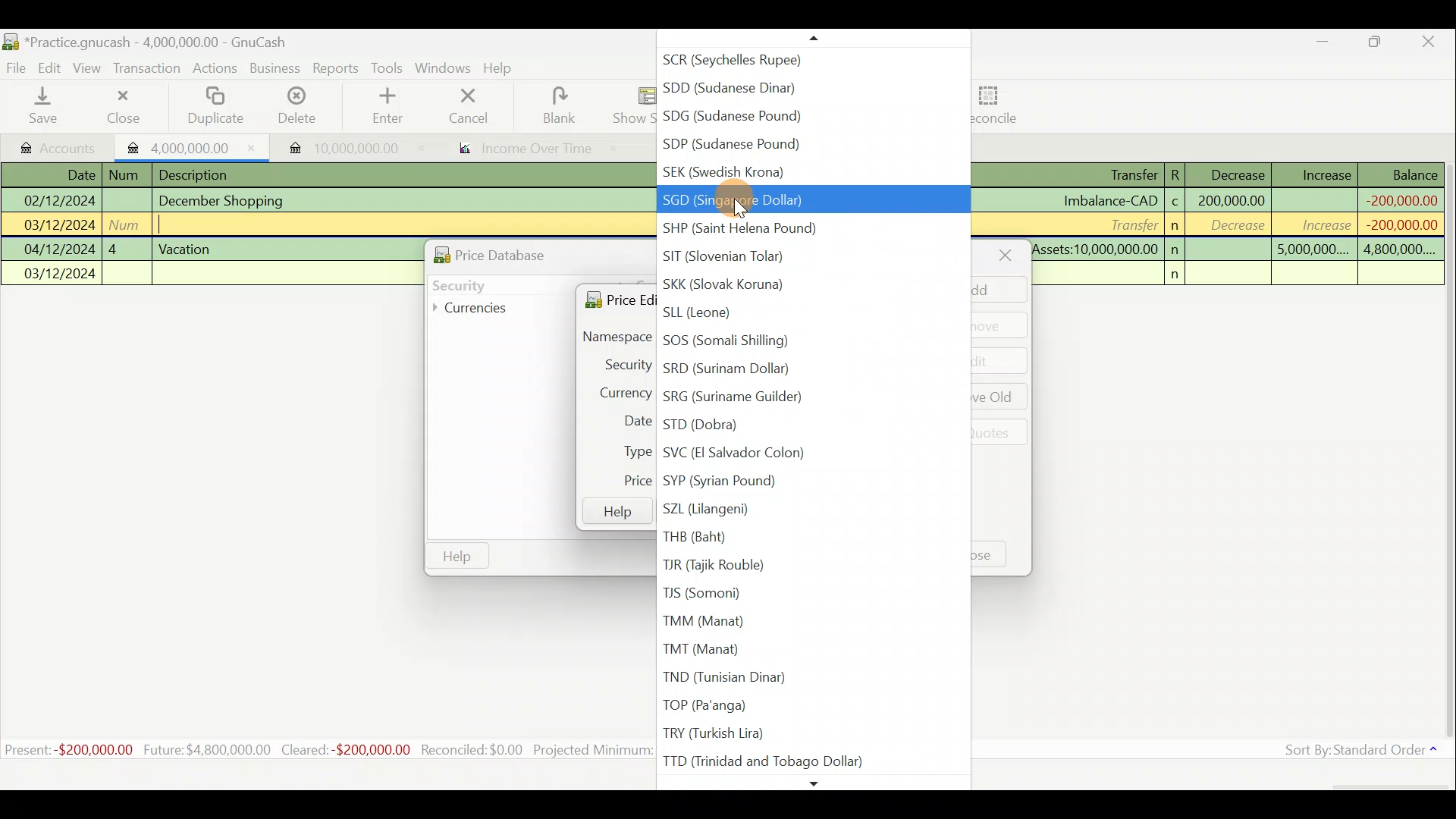 The width and height of the screenshot is (1456, 819). What do you see at coordinates (521, 146) in the screenshot?
I see `Report` at bounding box center [521, 146].